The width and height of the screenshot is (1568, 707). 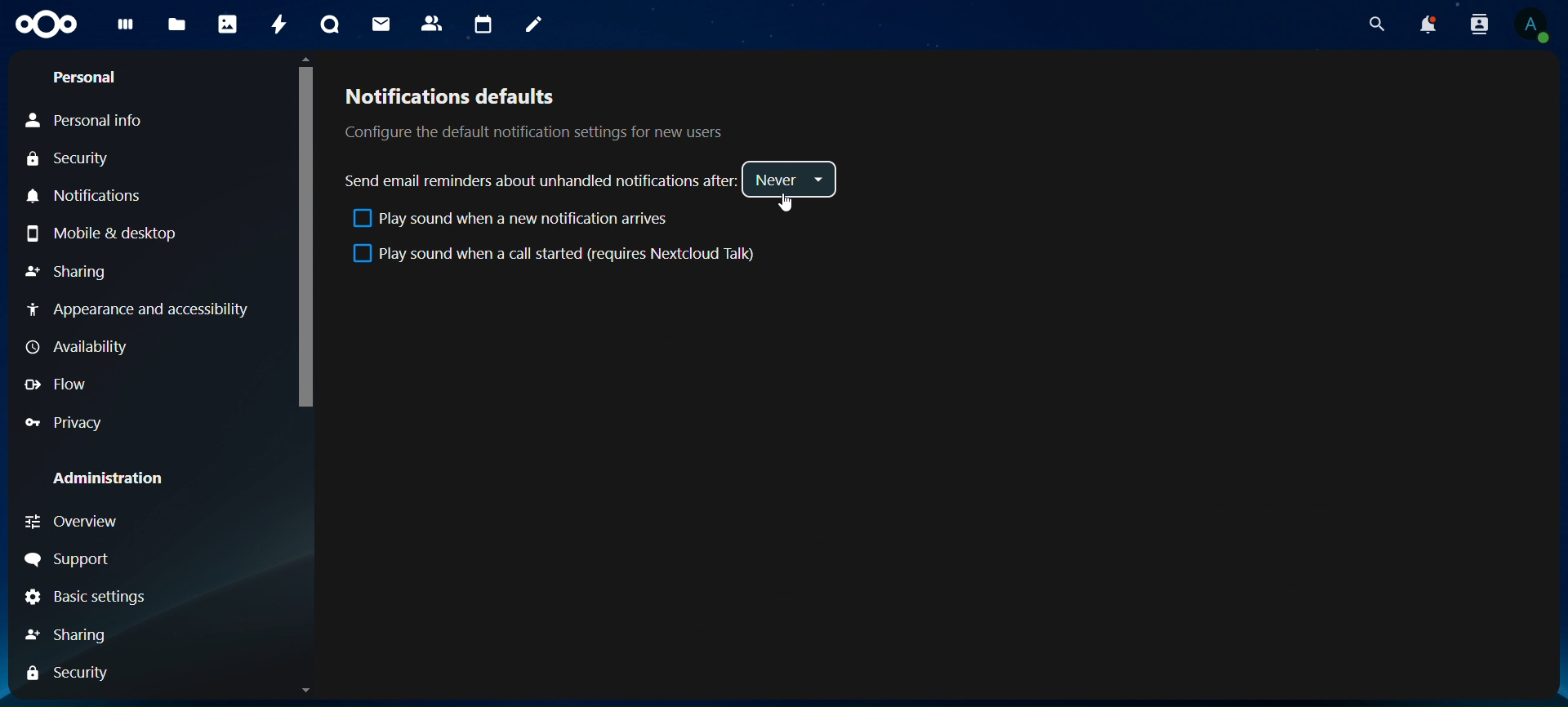 What do you see at coordinates (787, 203) in the screenshot?
I see `Cursor` at bounding box center [787, 203].